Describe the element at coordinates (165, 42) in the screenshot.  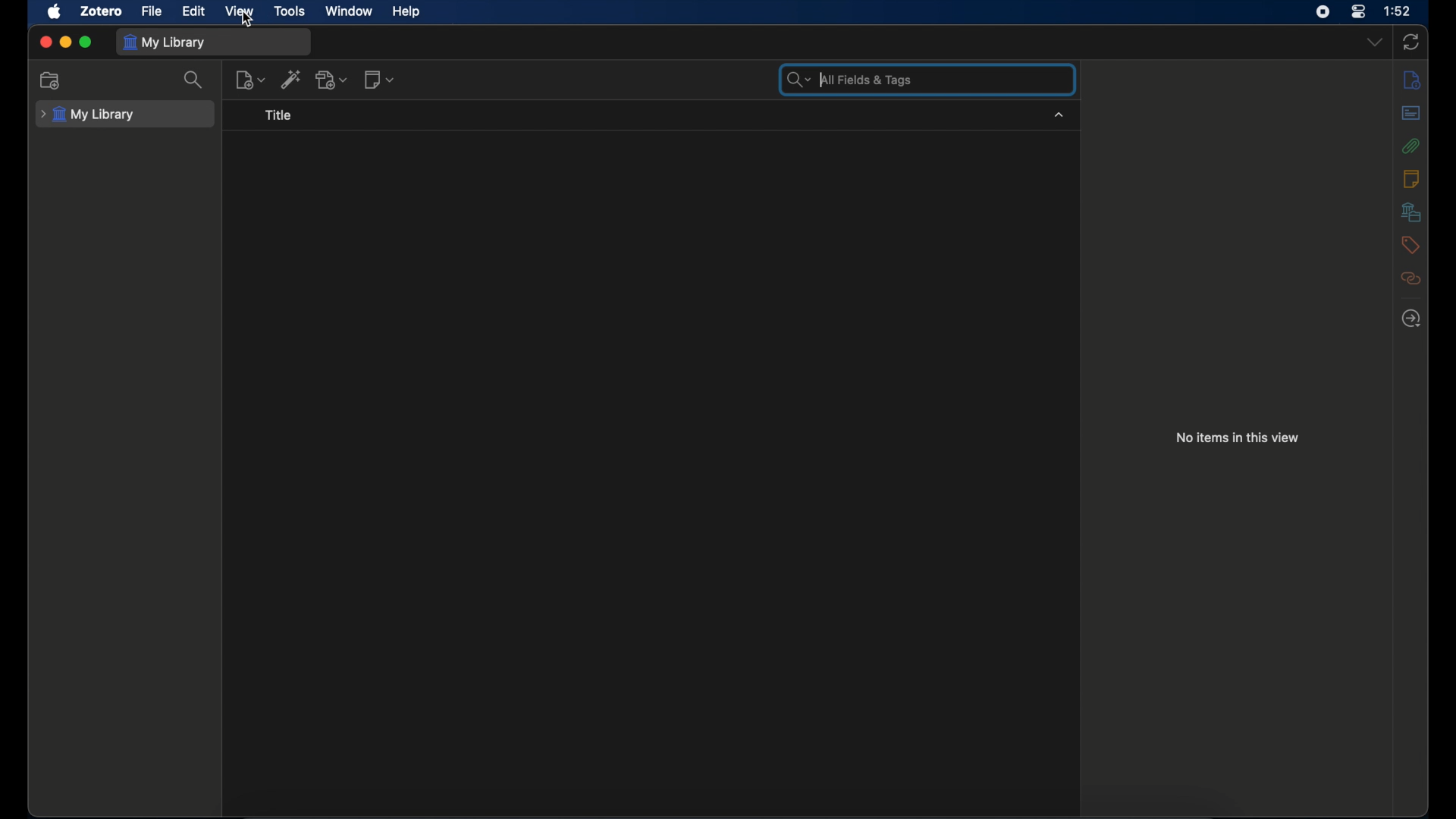
I see `my library` at that location.